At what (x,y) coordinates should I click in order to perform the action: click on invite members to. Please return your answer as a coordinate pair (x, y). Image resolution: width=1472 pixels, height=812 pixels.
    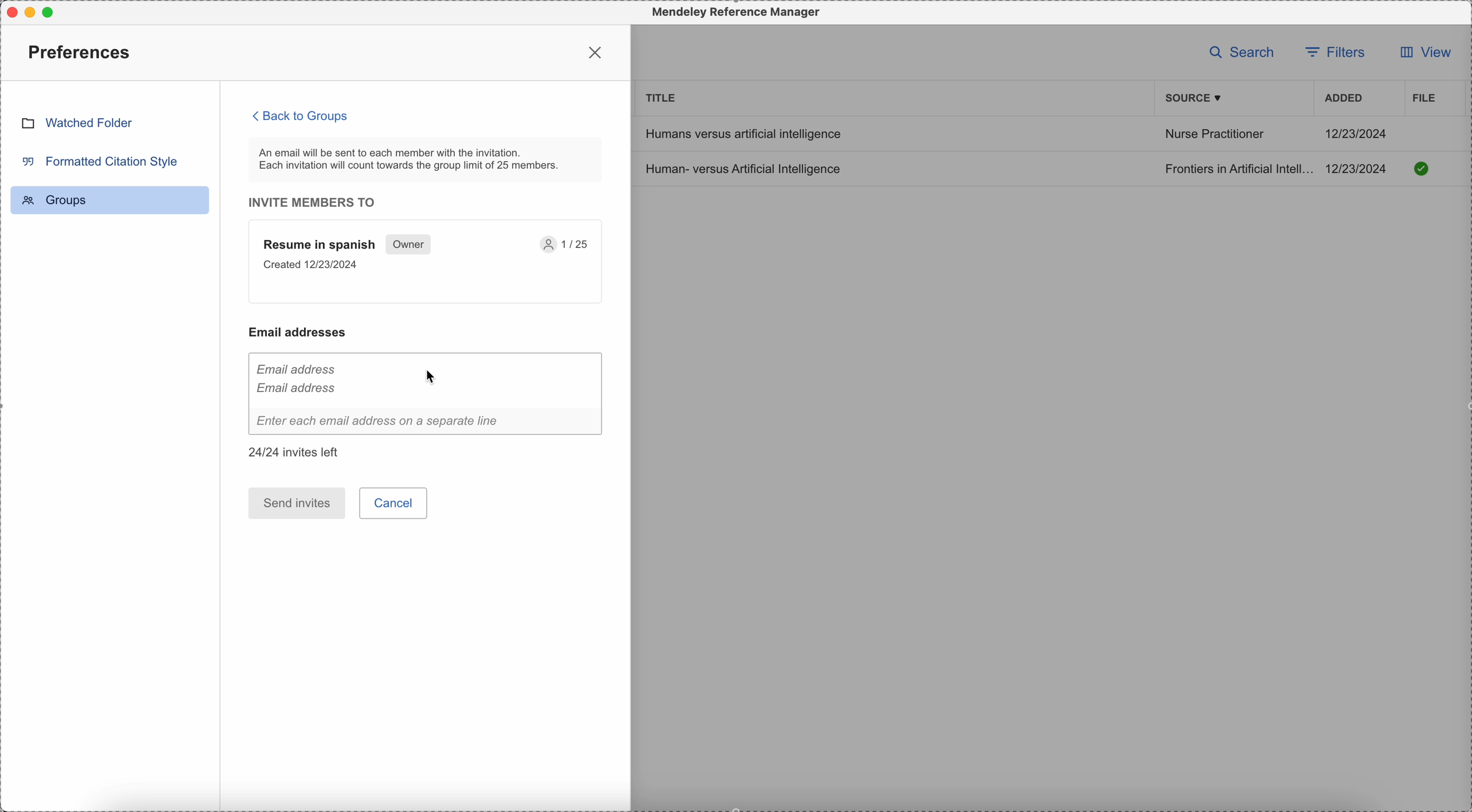
    Looking at the image, I should click on (318, 202).